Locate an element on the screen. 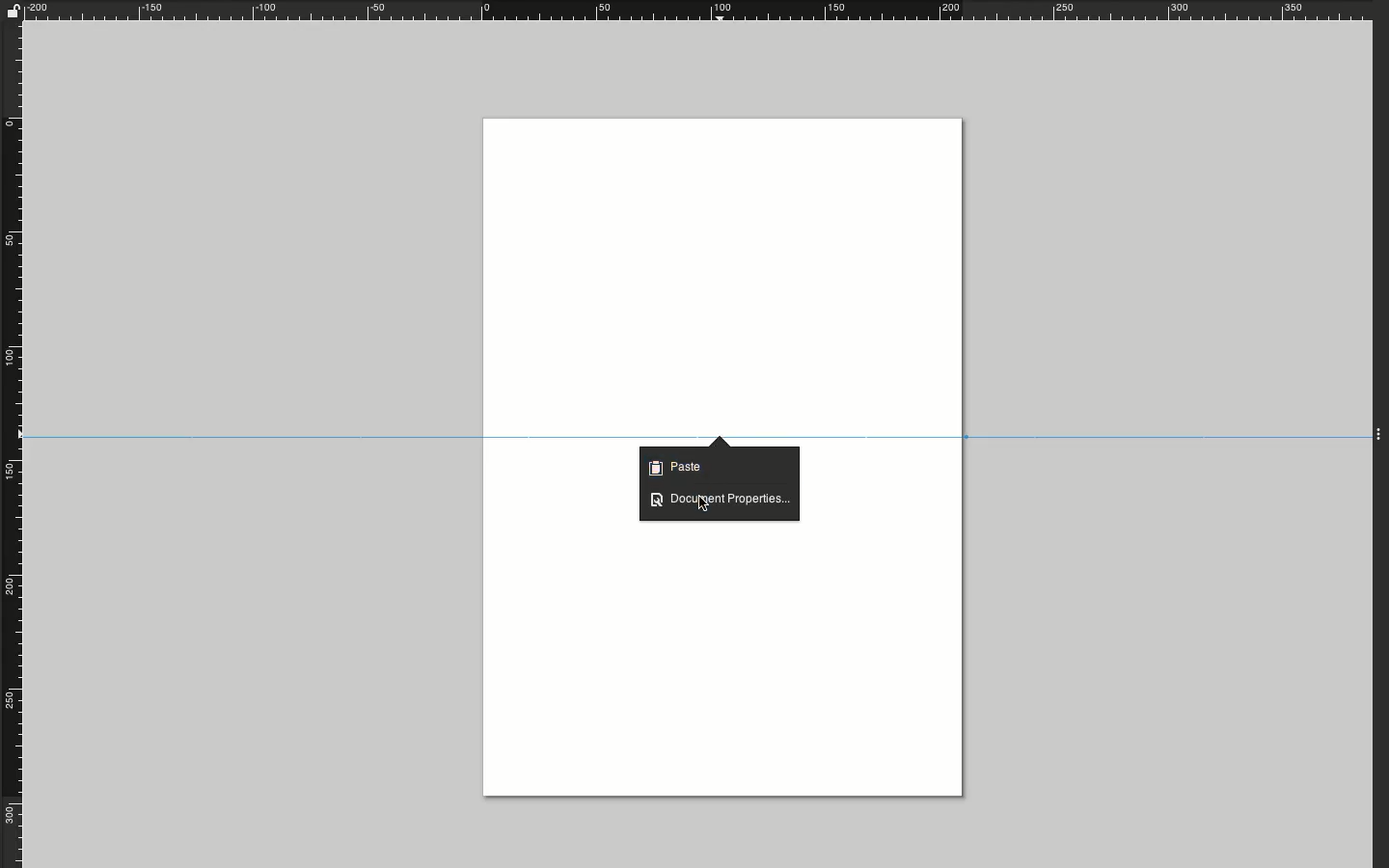 This screenshot has height=868, width=1389. Ruler is located at coordinates (703, 10).